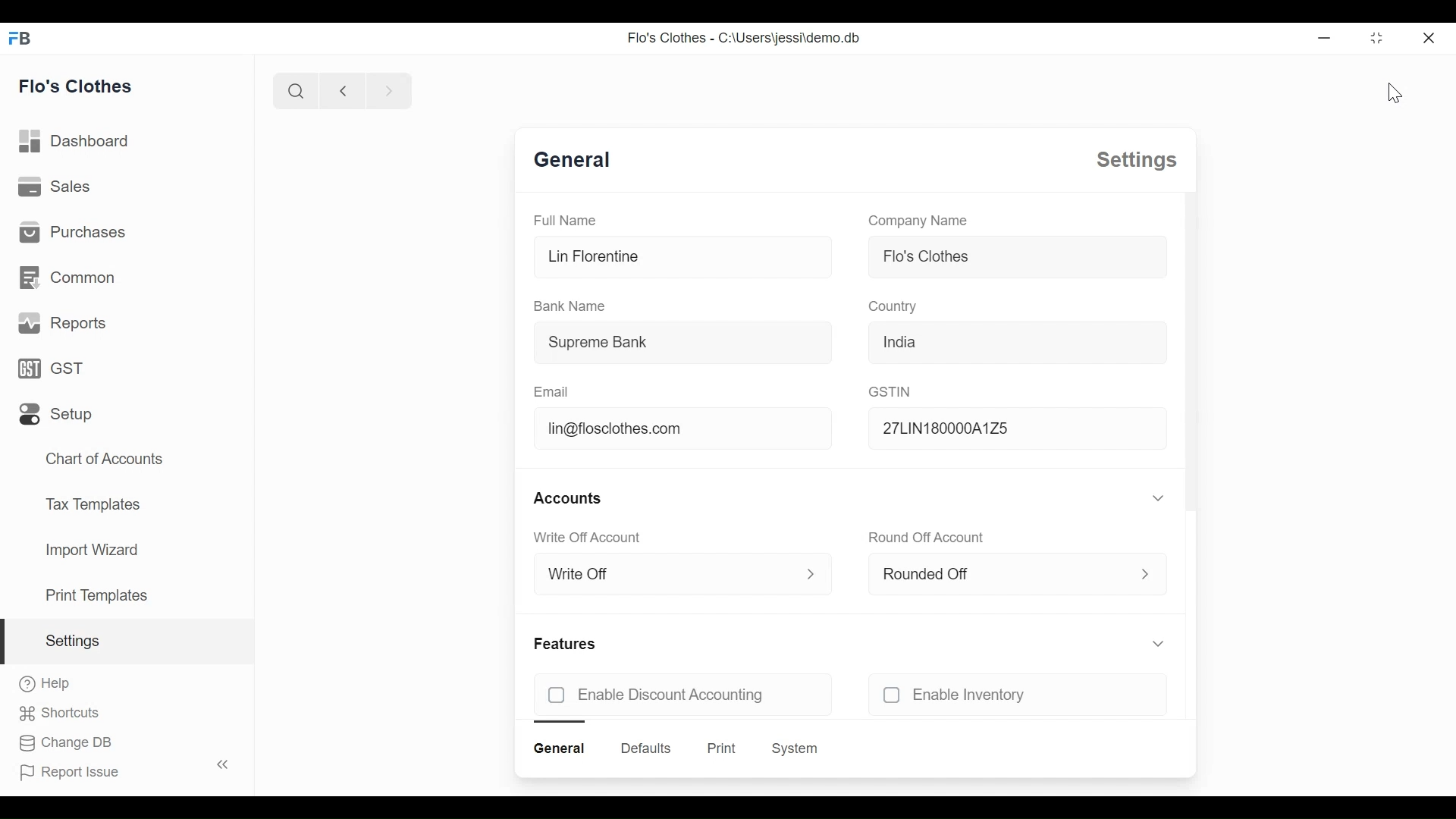 The height and width of the screenshot is (819, 1456). What do you see at coordinates (106, 460) in the screenshot?
I see `chart of accounts` at bounding box center [106, 460].